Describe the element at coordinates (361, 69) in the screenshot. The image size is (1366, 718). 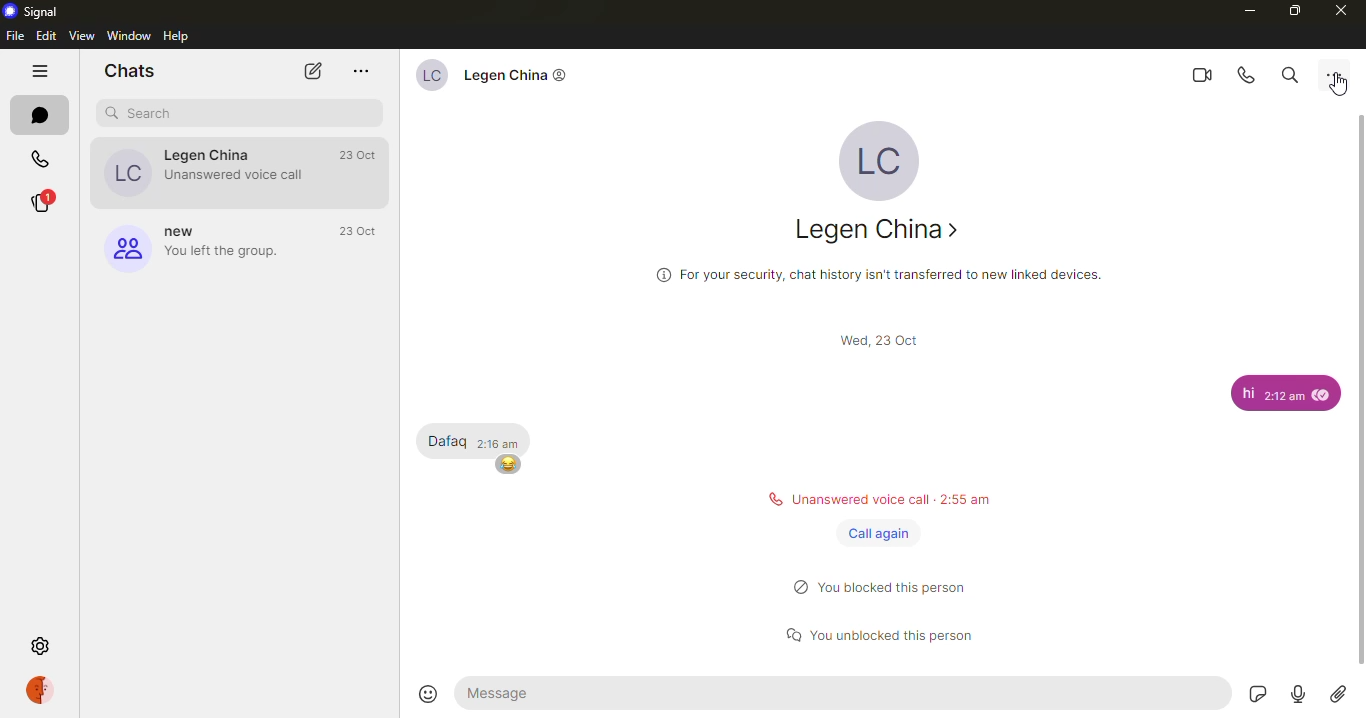
I see `more` at that location.